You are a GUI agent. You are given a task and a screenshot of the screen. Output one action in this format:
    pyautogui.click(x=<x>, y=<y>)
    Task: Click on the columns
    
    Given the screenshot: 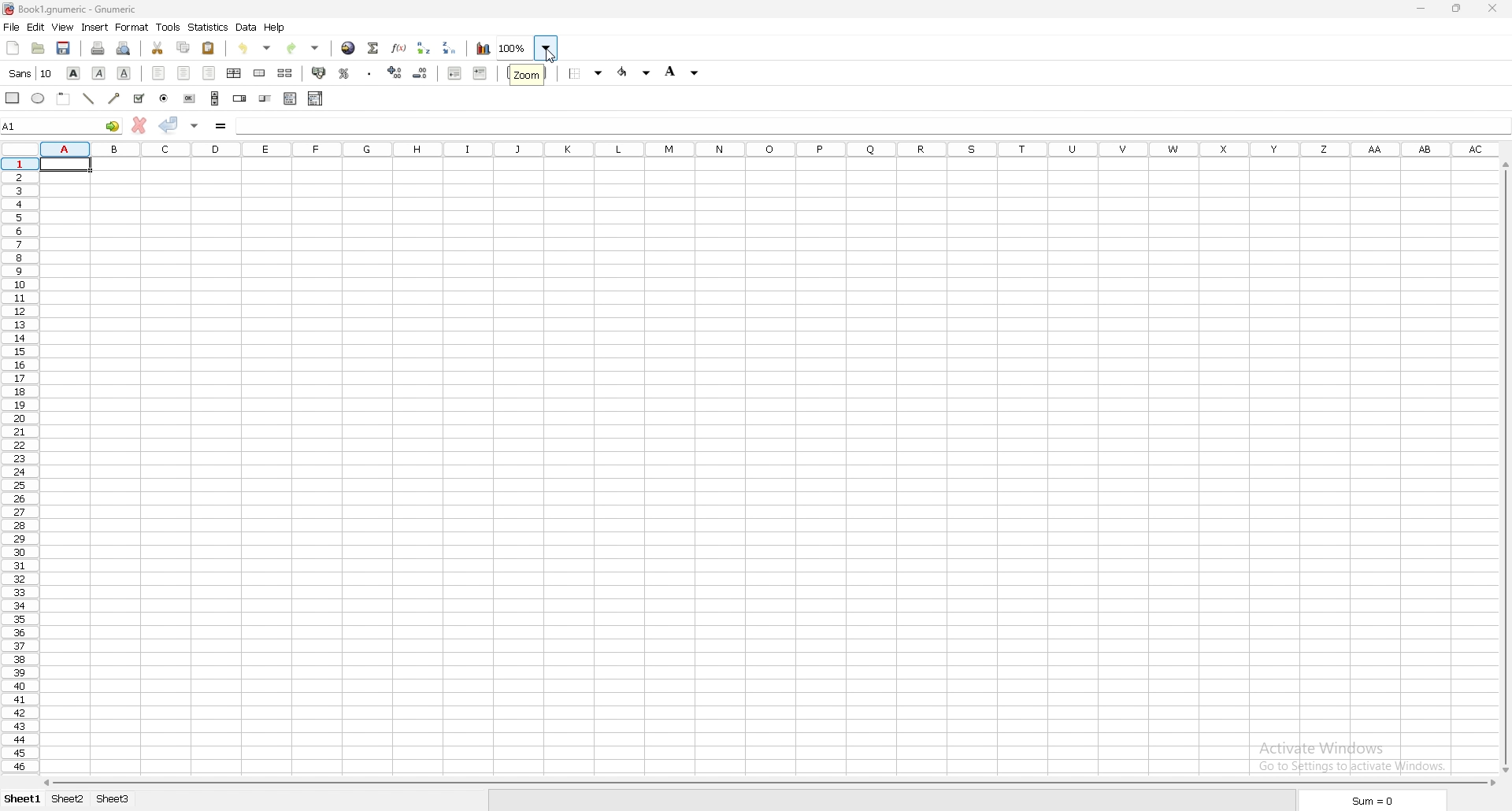 What is the action you would take?
    pyautogui.click(x=772, y=149)
    